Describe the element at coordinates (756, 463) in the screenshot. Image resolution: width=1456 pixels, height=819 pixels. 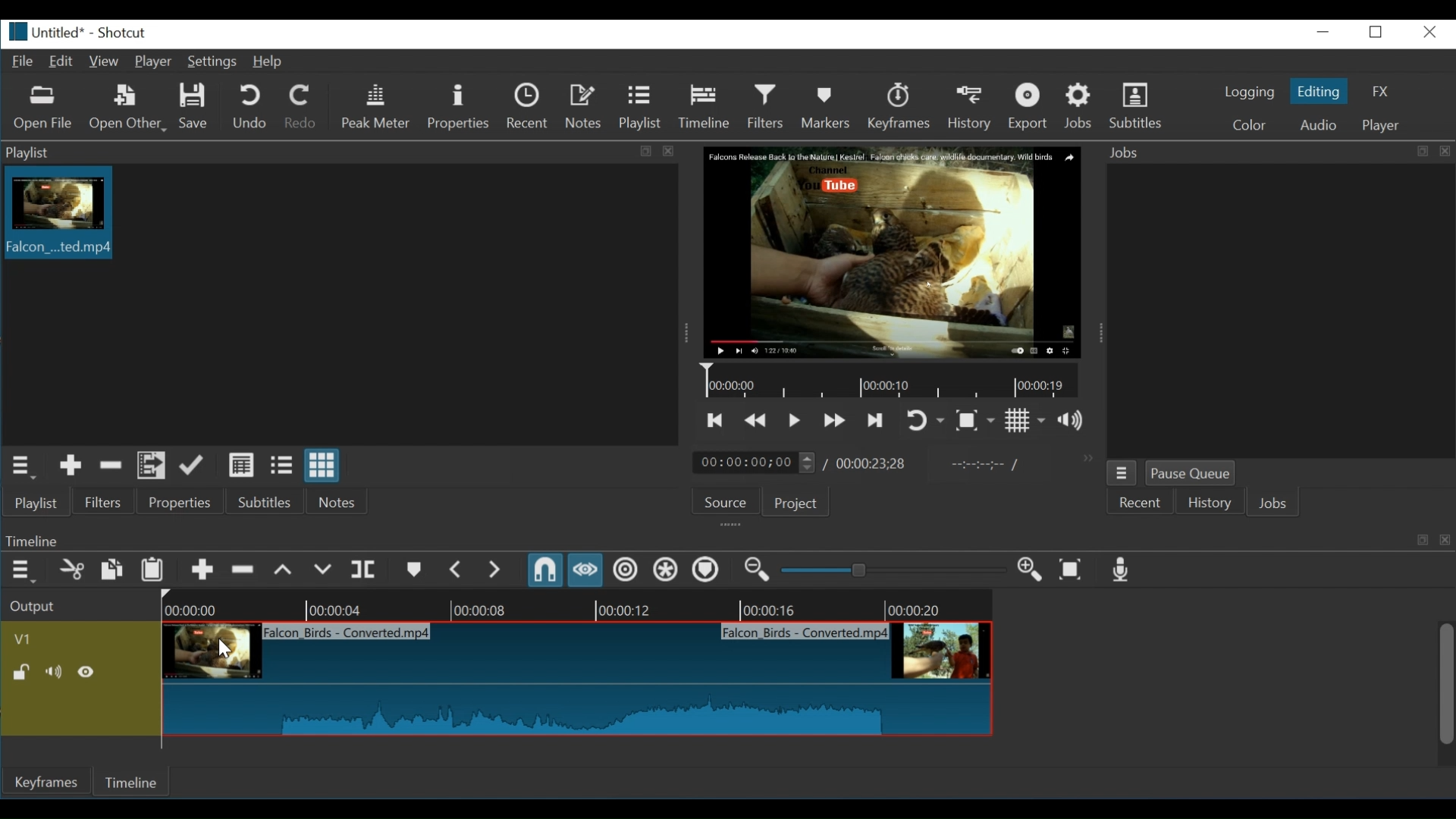
I see `Current location` at that location.